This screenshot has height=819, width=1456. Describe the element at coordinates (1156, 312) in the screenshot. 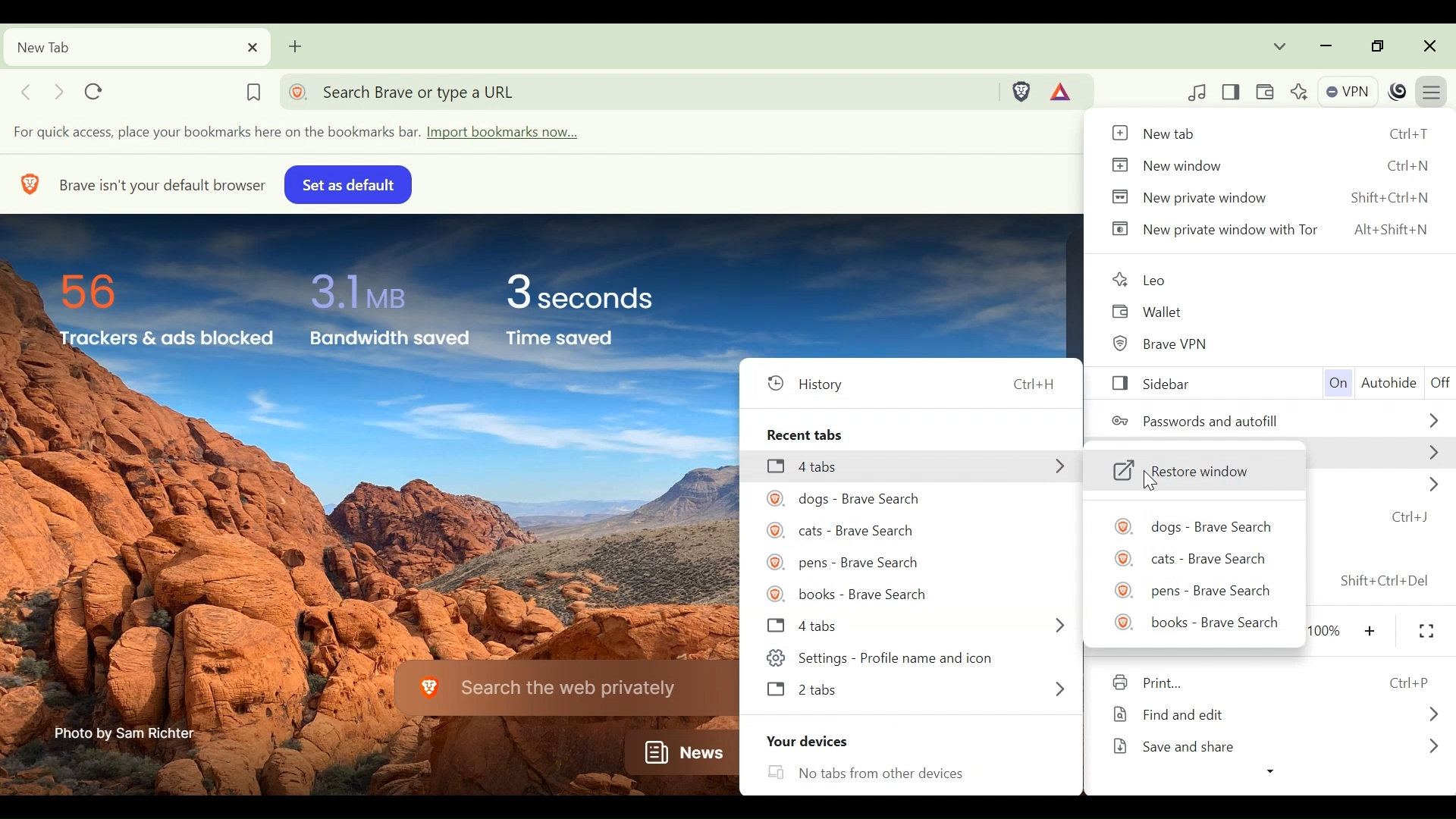

I see `E Wallet` at that location.